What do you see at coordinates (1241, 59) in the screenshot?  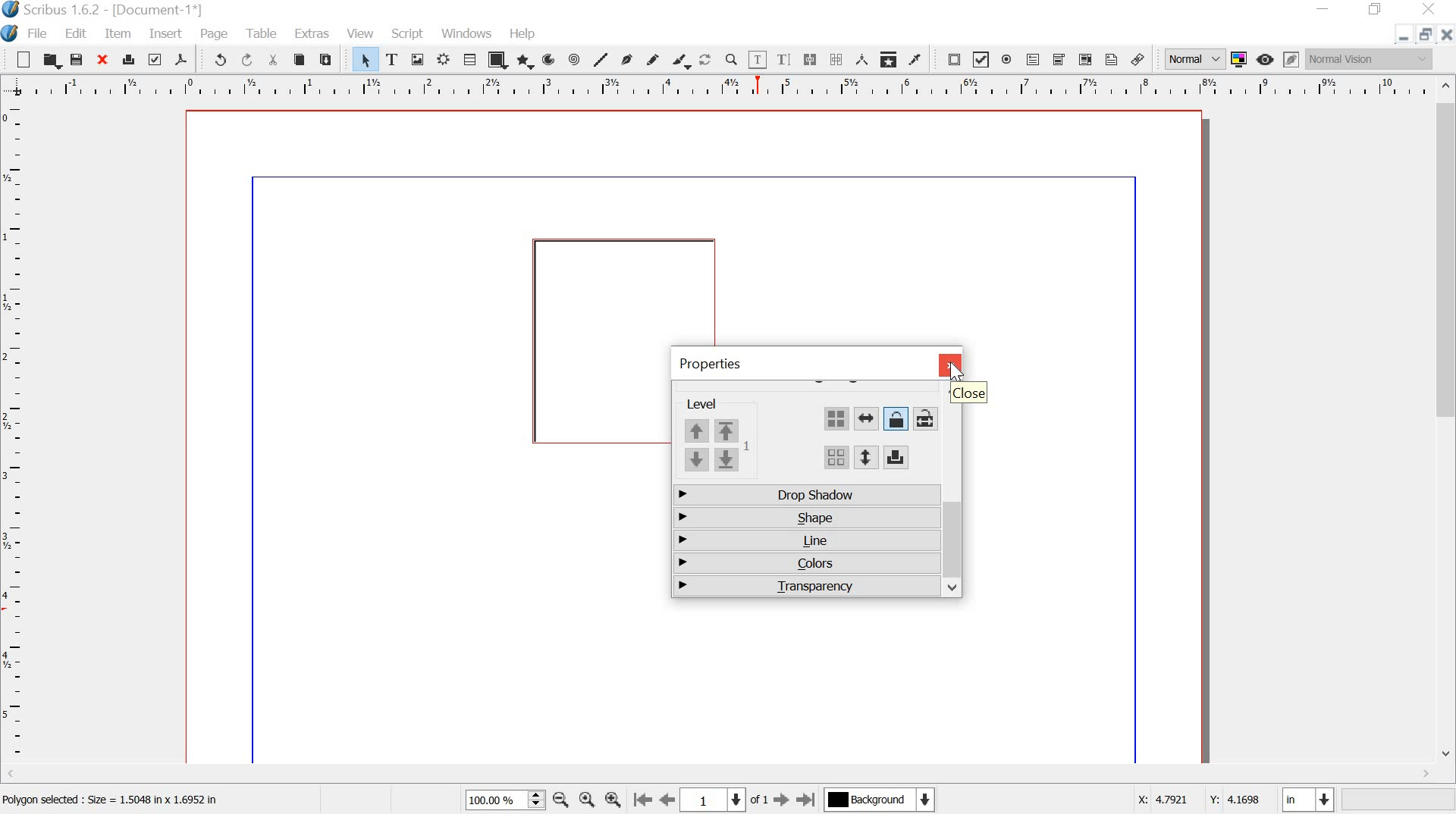 I see `toggle color management system` at bounding box center [1241, 59].